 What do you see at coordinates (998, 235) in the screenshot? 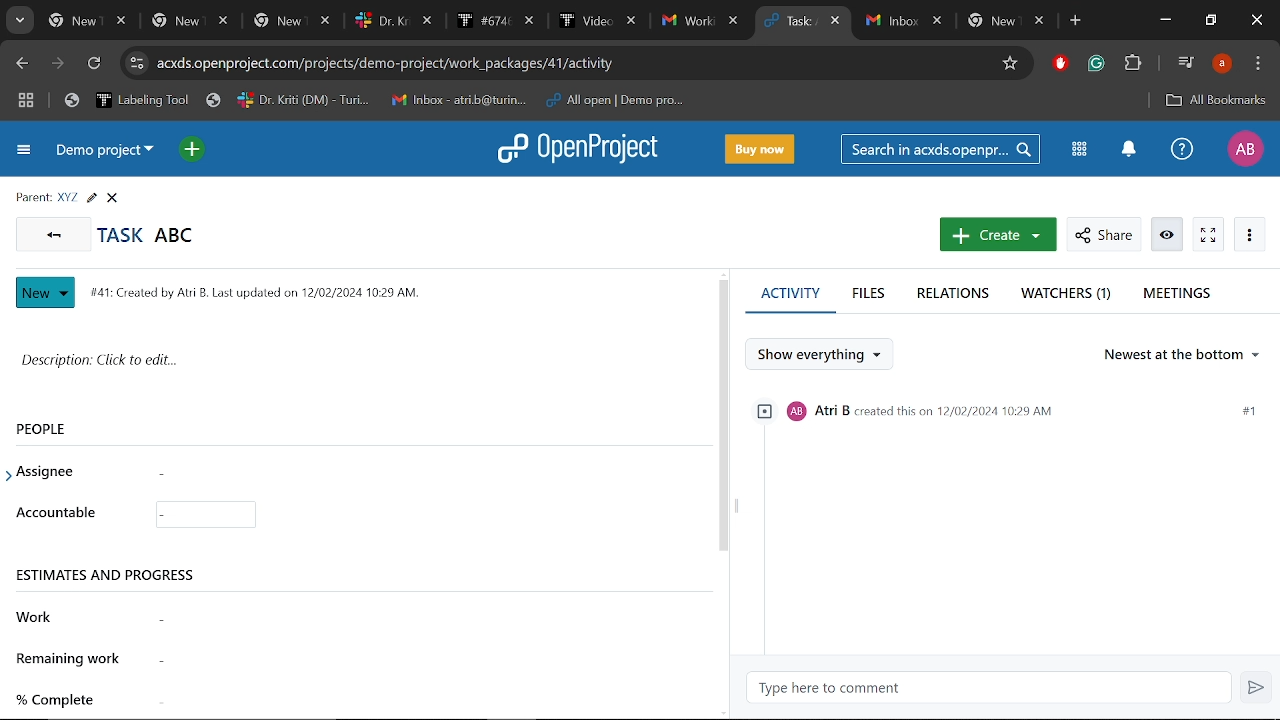
I see `Create` at bounding box center [998, 235].